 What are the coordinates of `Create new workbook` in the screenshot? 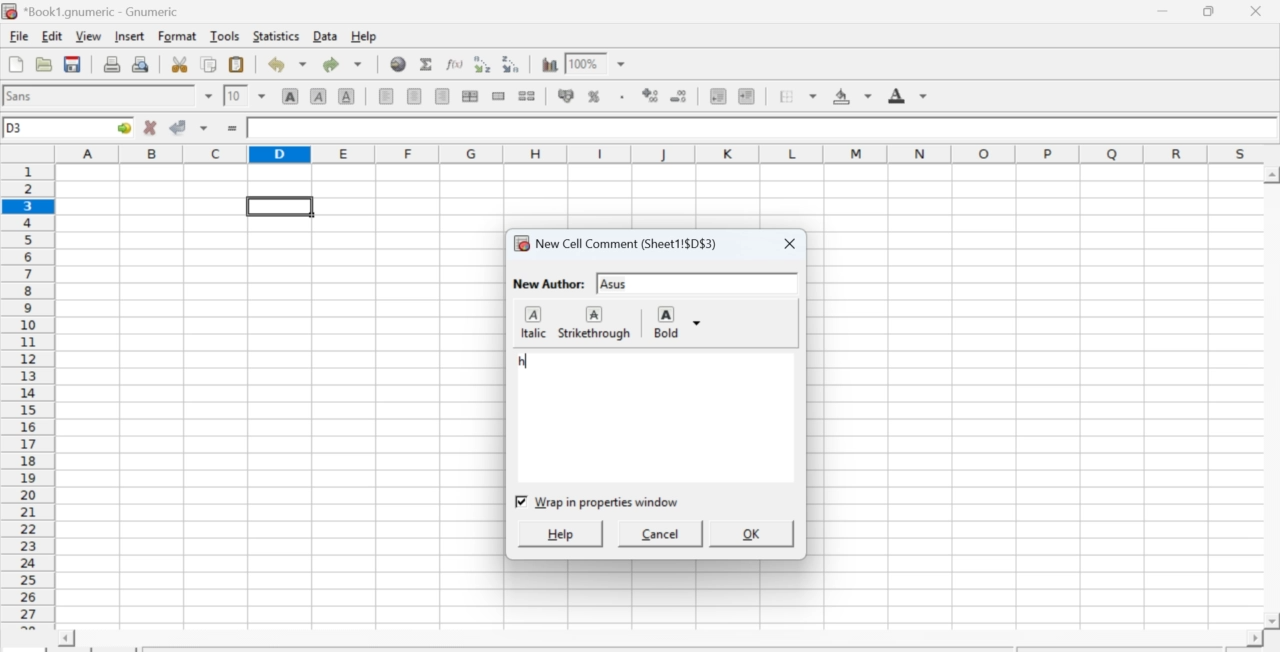 It's located at (13, 65).